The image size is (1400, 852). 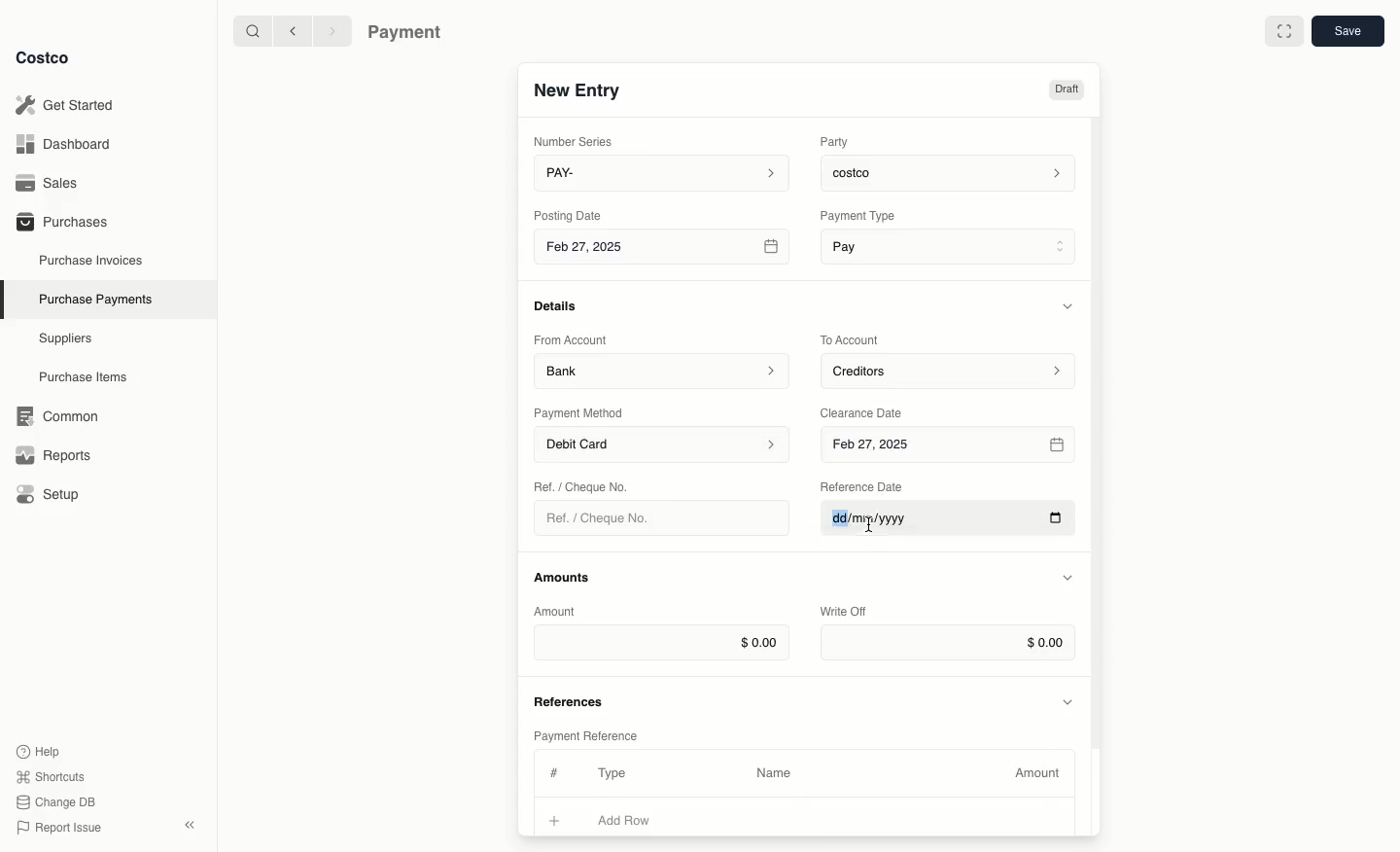 What do you see at coordinates (951, 245) in the screenshot?
I see `Pay` at bounding box center [951, 245].